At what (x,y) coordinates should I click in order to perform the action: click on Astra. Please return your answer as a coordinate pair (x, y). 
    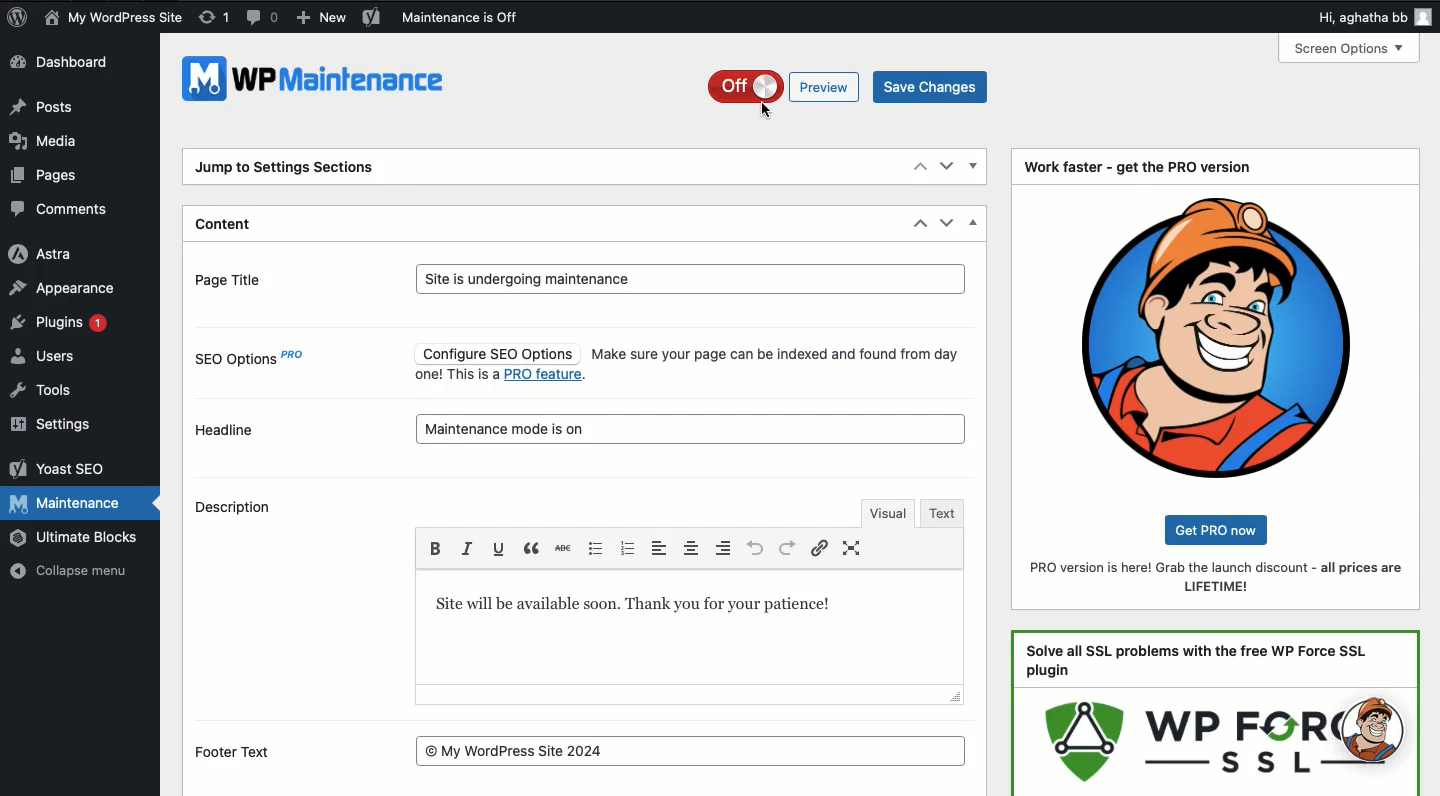
    Looking at the image, I should click on (43, 255).